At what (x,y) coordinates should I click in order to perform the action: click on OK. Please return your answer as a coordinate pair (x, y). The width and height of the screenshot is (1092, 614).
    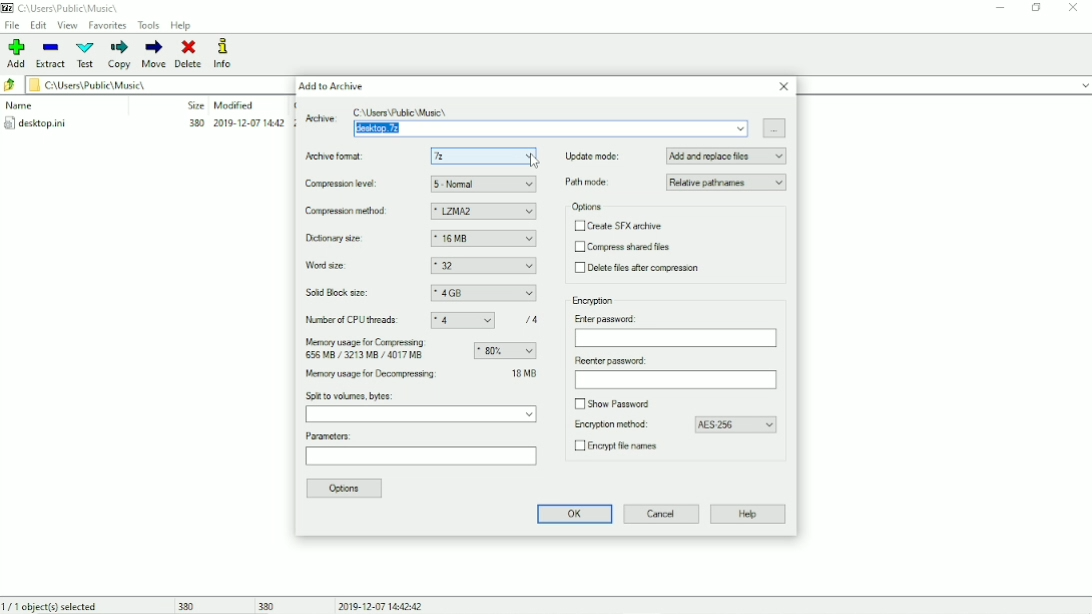
    Looking at the image, I should click on (572, 514).